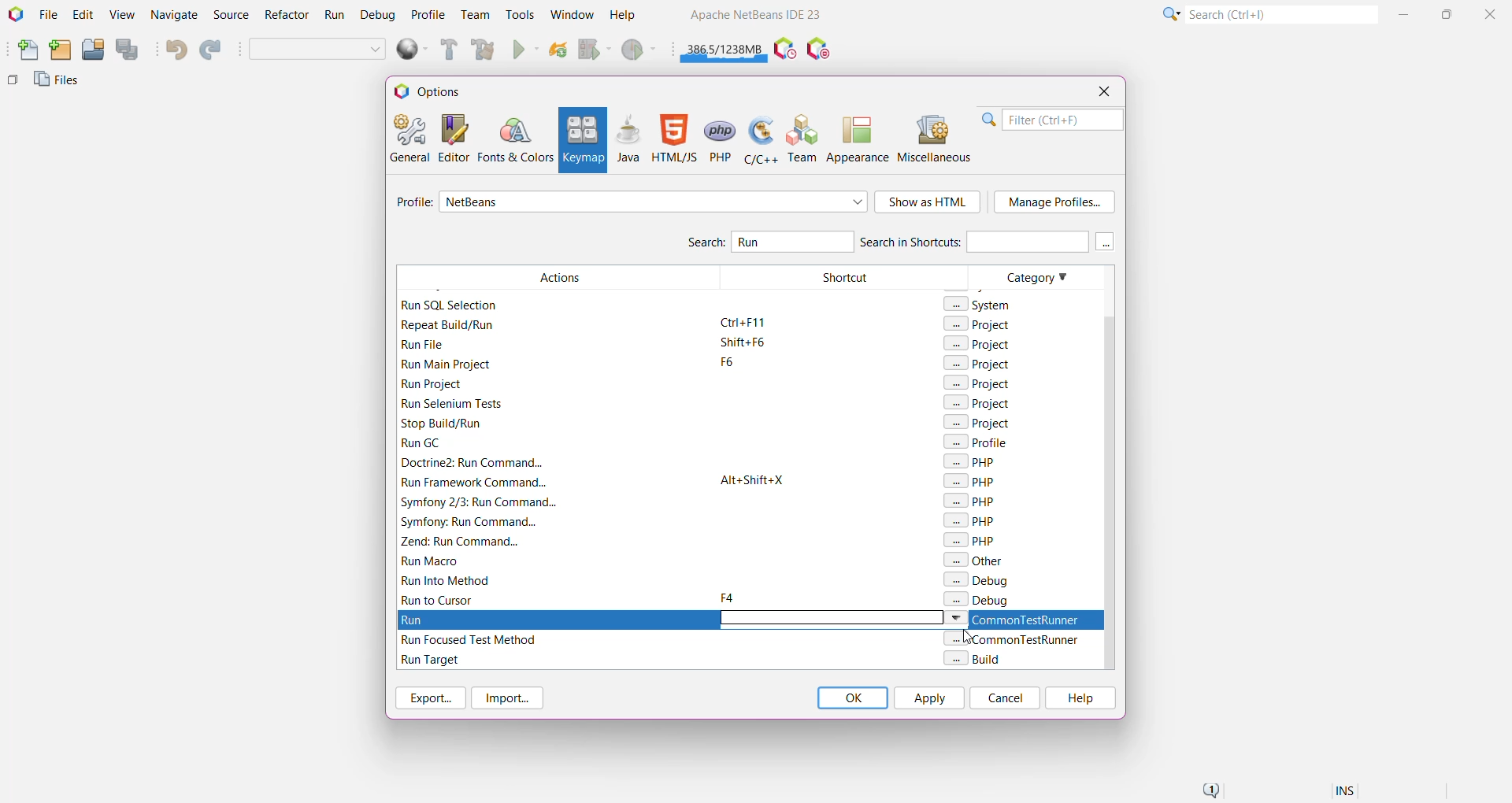  What do you see at coordinates (175, 50) in the screenshot?
I see `Undo` at bounding box center [175, 50].